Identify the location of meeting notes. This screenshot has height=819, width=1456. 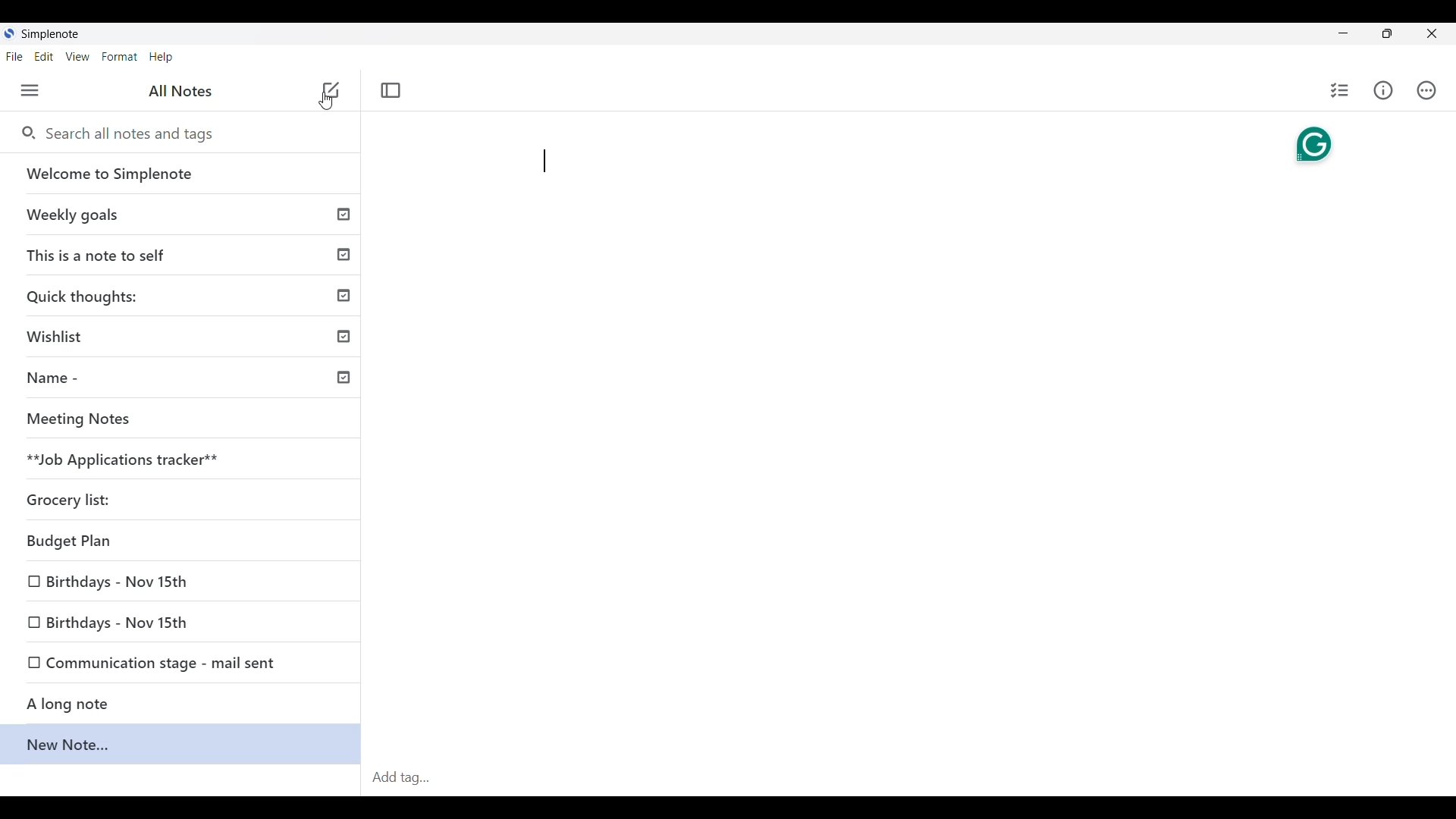
(171, 416).